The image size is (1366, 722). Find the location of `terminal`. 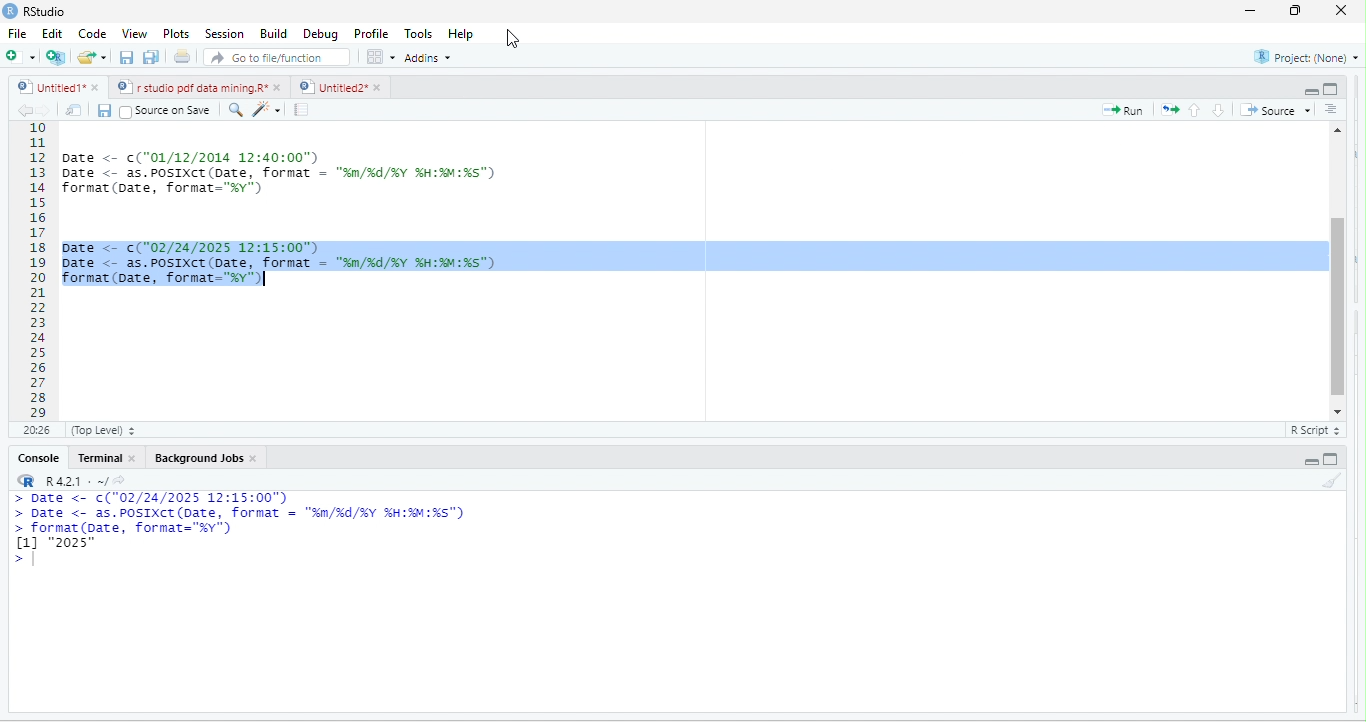

terminal is located at coordinates (101, 460).